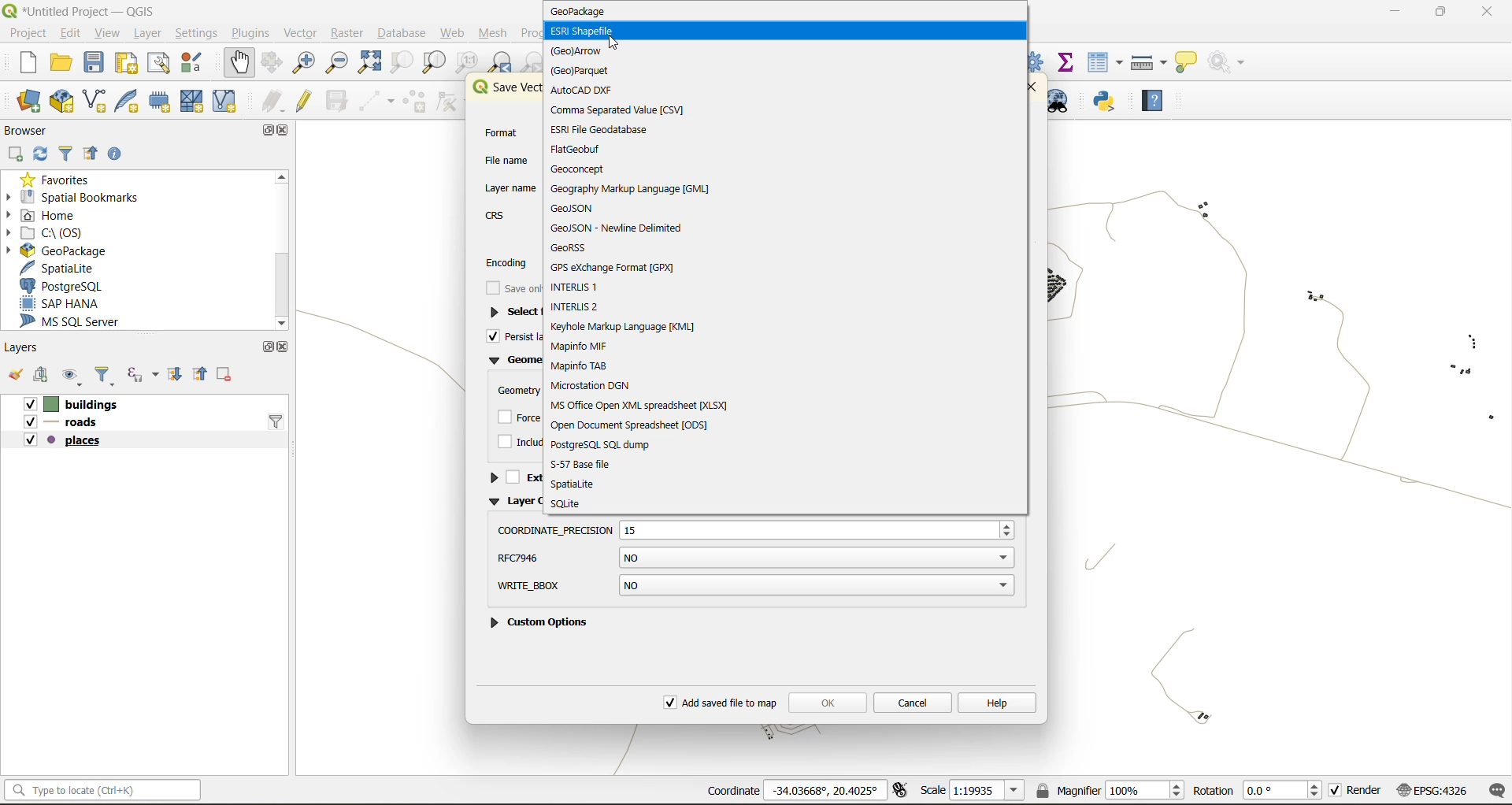 This screenshot has width=1512, height=805. What do you see at coordinates (283, 246) in the screenshot?
I see `scroolbar` at bounding box center [283, 246].